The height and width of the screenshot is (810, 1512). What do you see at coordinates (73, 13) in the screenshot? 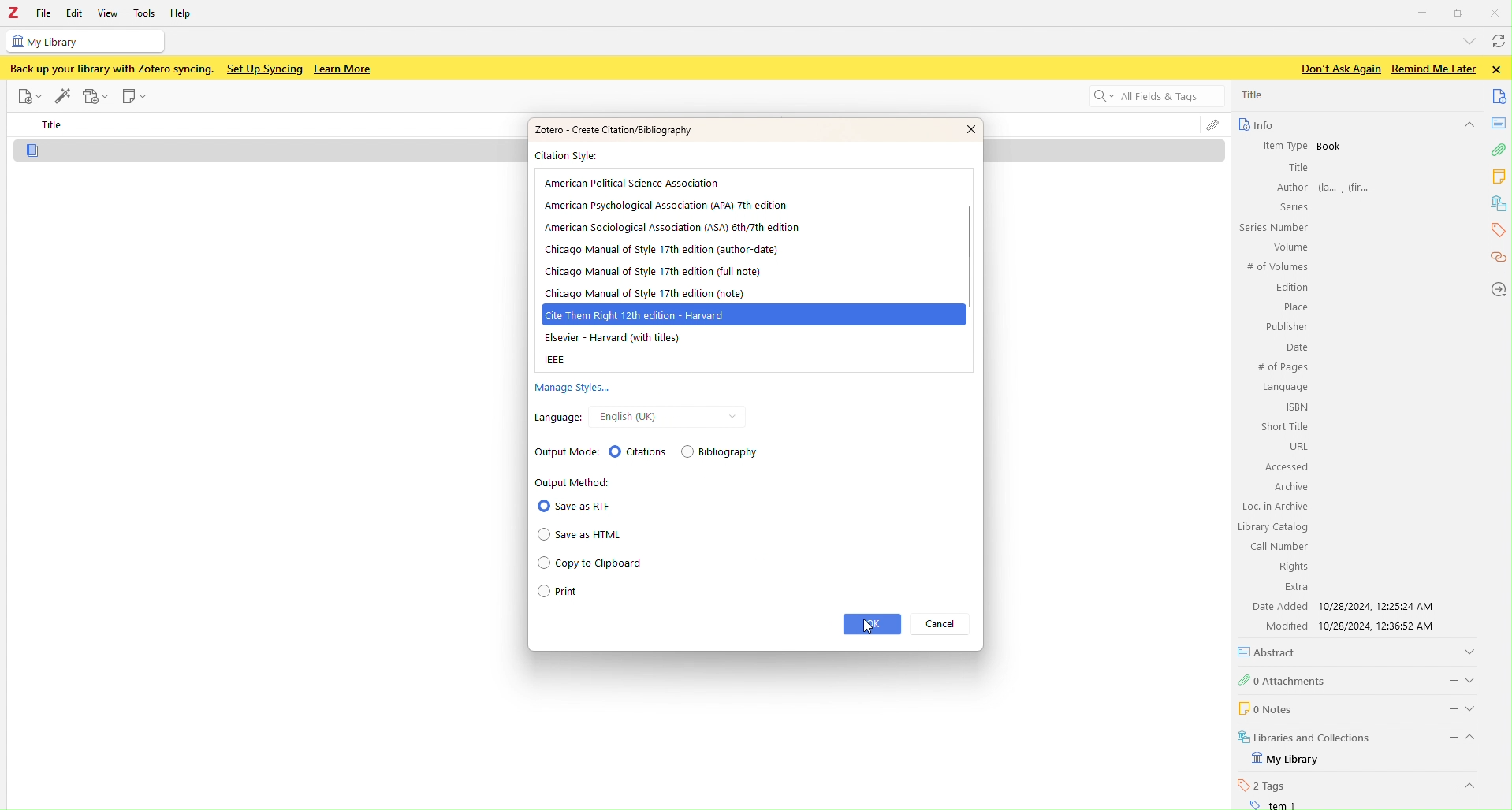
I see `Edit` at bounding box center [73, 13].